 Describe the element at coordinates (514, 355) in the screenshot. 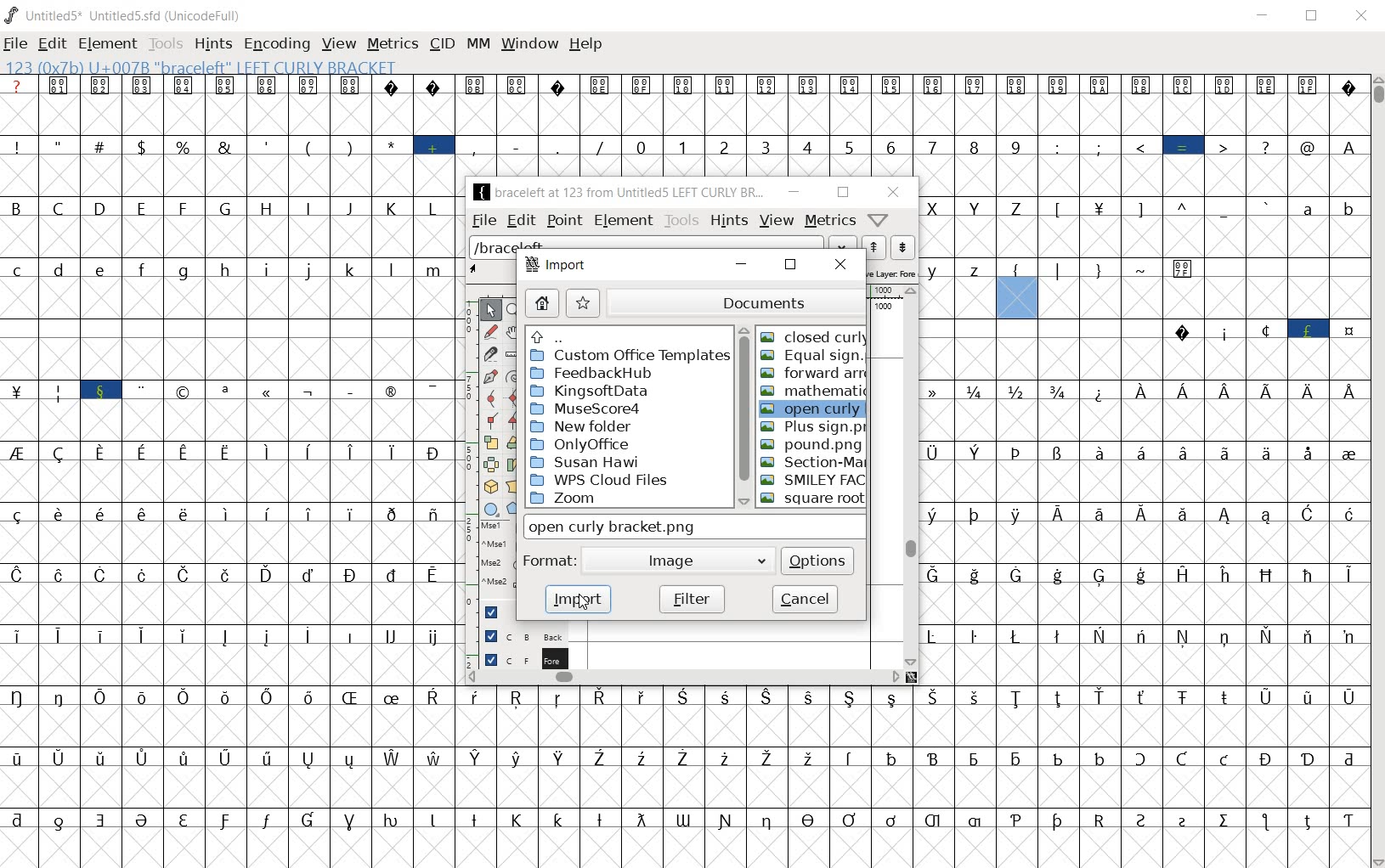

I see `measure a distance, angle between points` at that location.